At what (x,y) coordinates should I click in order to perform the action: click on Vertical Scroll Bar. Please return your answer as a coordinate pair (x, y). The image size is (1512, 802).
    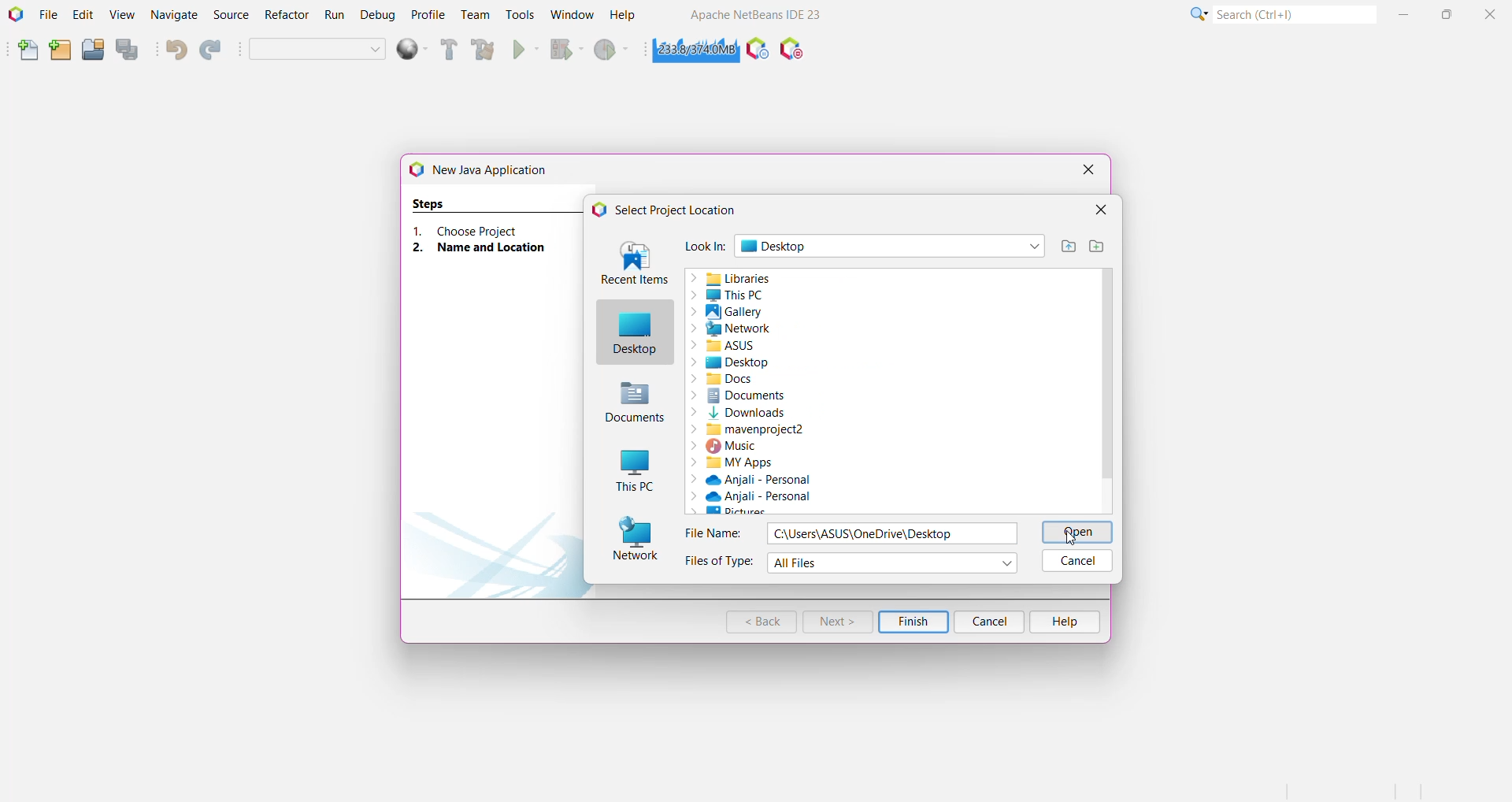
    Looking at the image, I should click on (1107, 392).